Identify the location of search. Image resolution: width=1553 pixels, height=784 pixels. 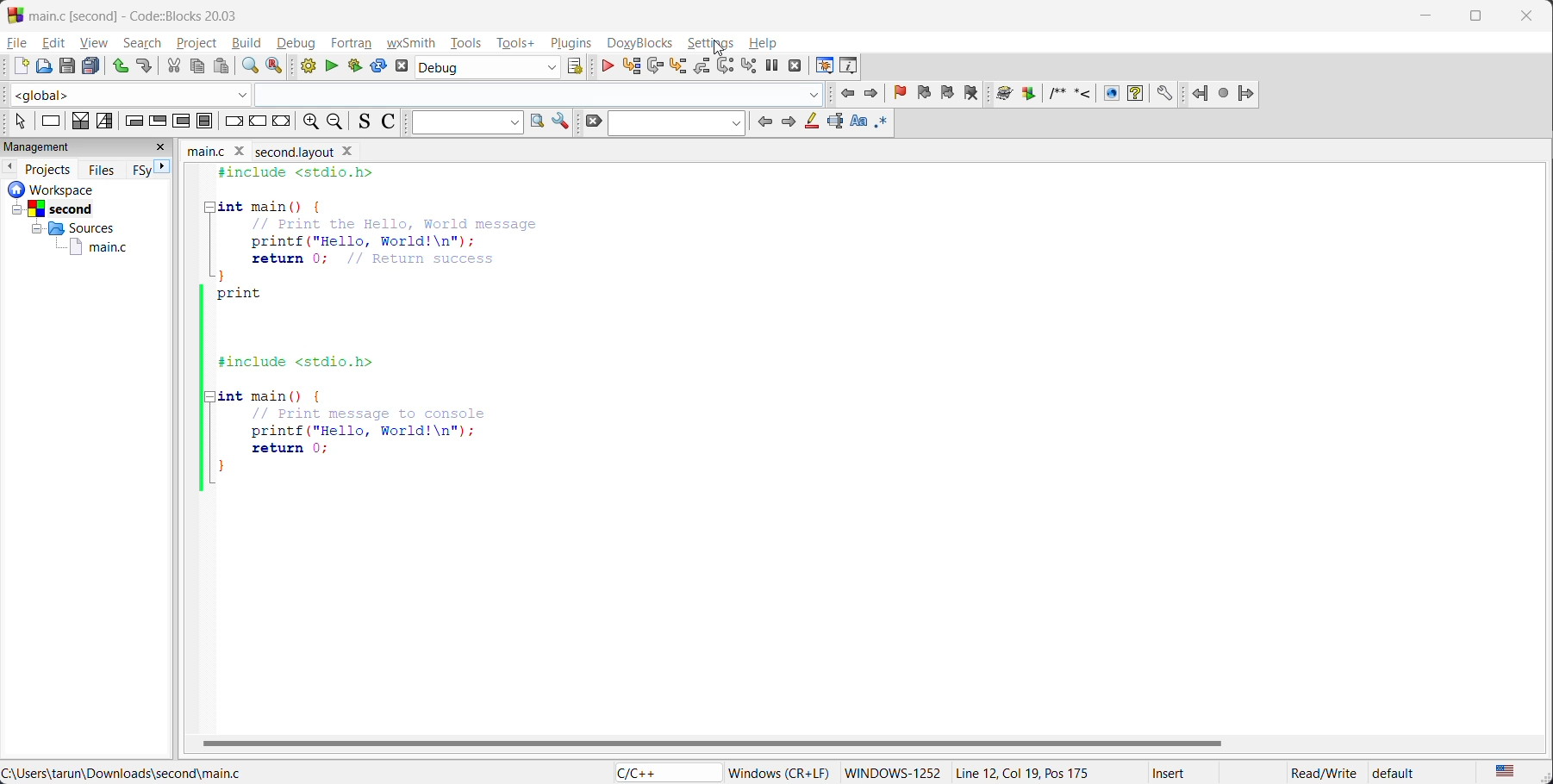
(146, 43).